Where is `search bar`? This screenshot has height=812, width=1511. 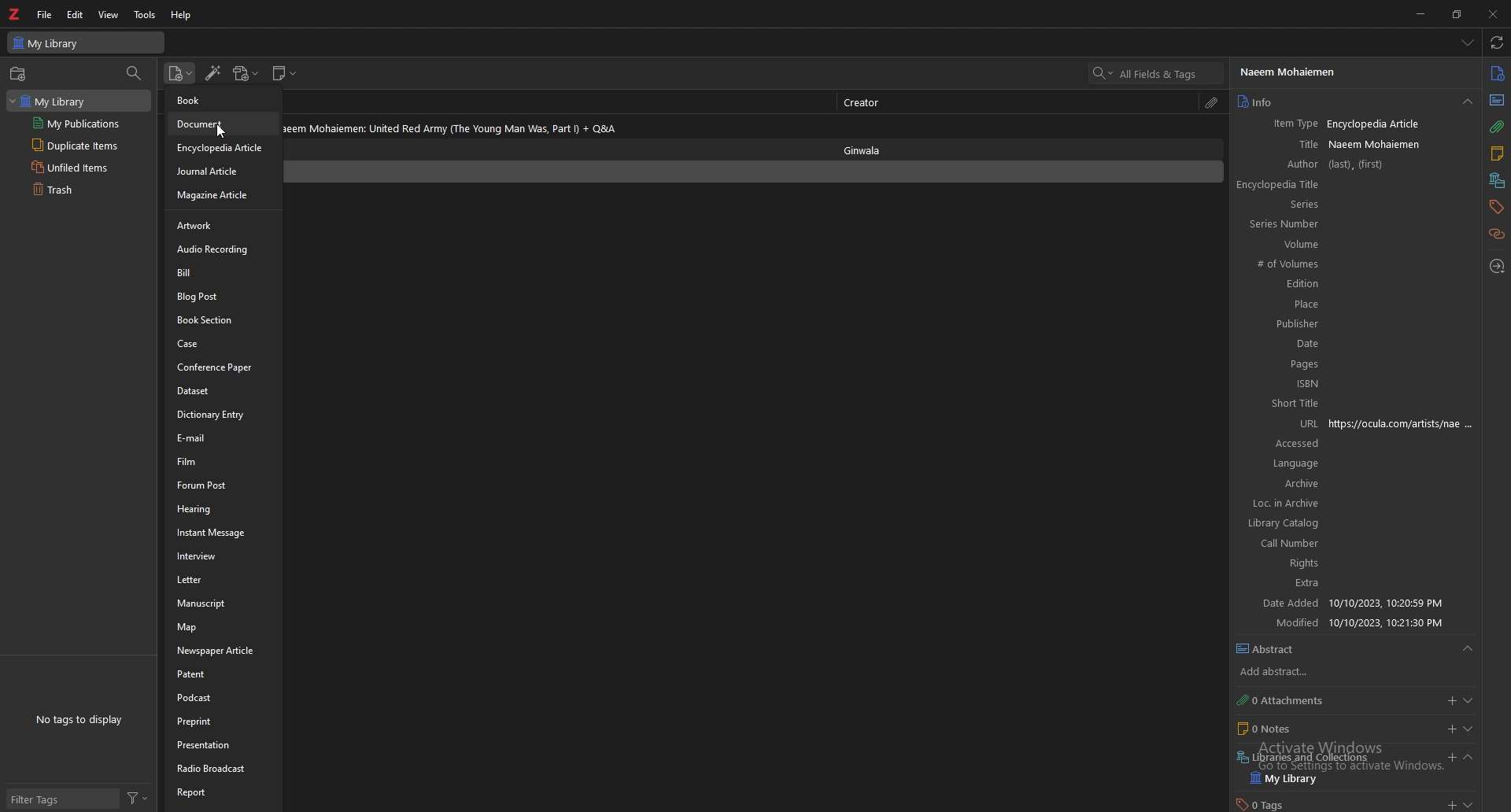
search bar is located at coordinates (1156, 73).